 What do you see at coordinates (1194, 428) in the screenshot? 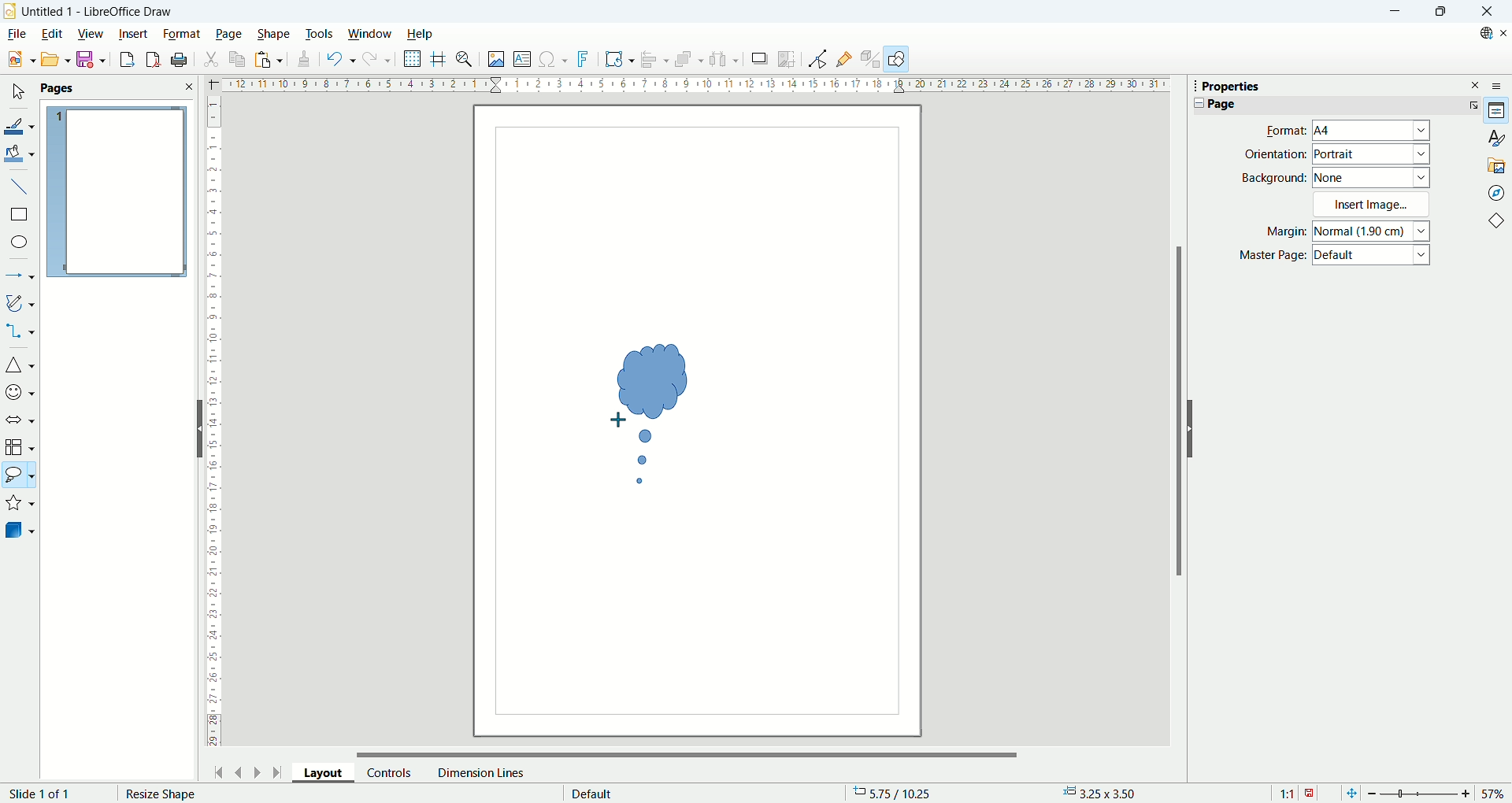
I see `Hide` at bounding box center [1194, 428].